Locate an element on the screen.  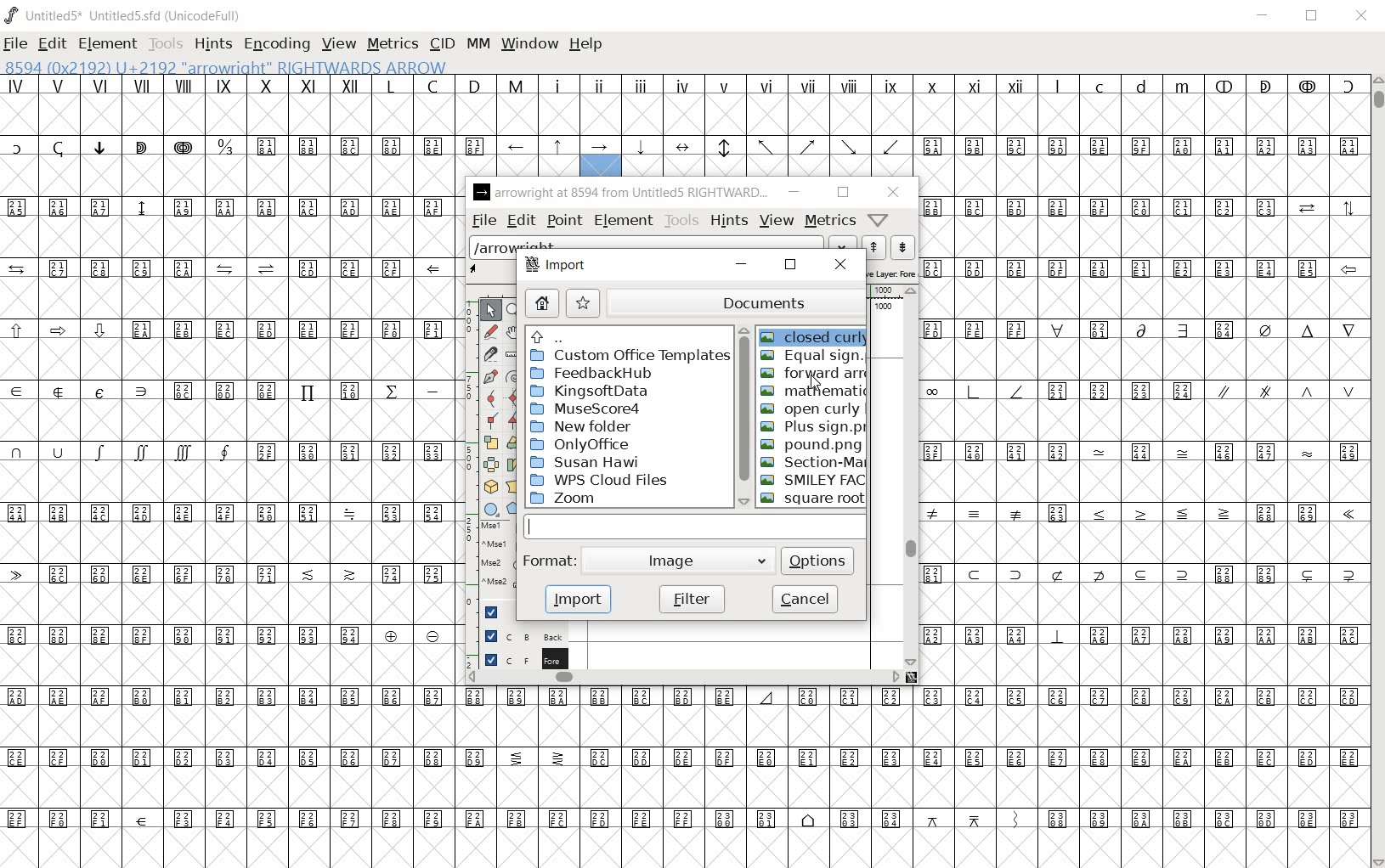
MuseScore4 is located at coordinates (585, 409).